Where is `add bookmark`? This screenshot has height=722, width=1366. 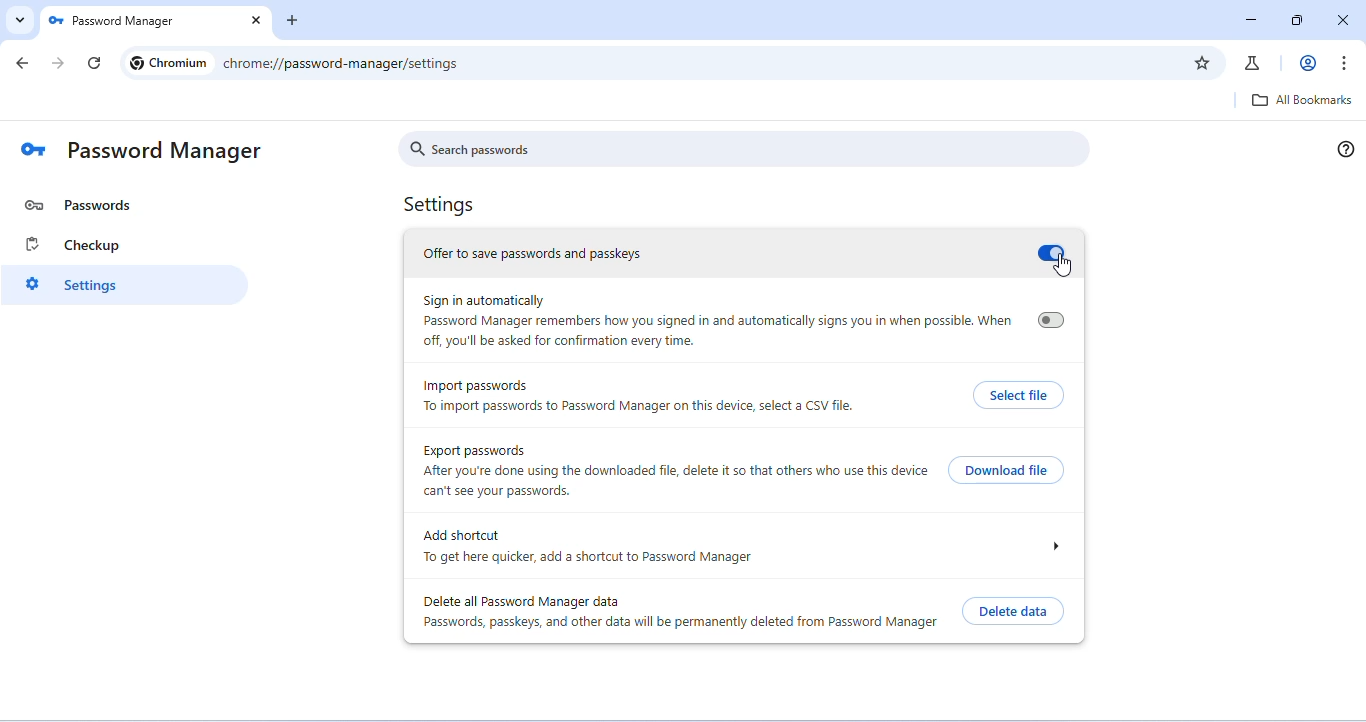 add bookmark is located at coordinates (1204, 61).